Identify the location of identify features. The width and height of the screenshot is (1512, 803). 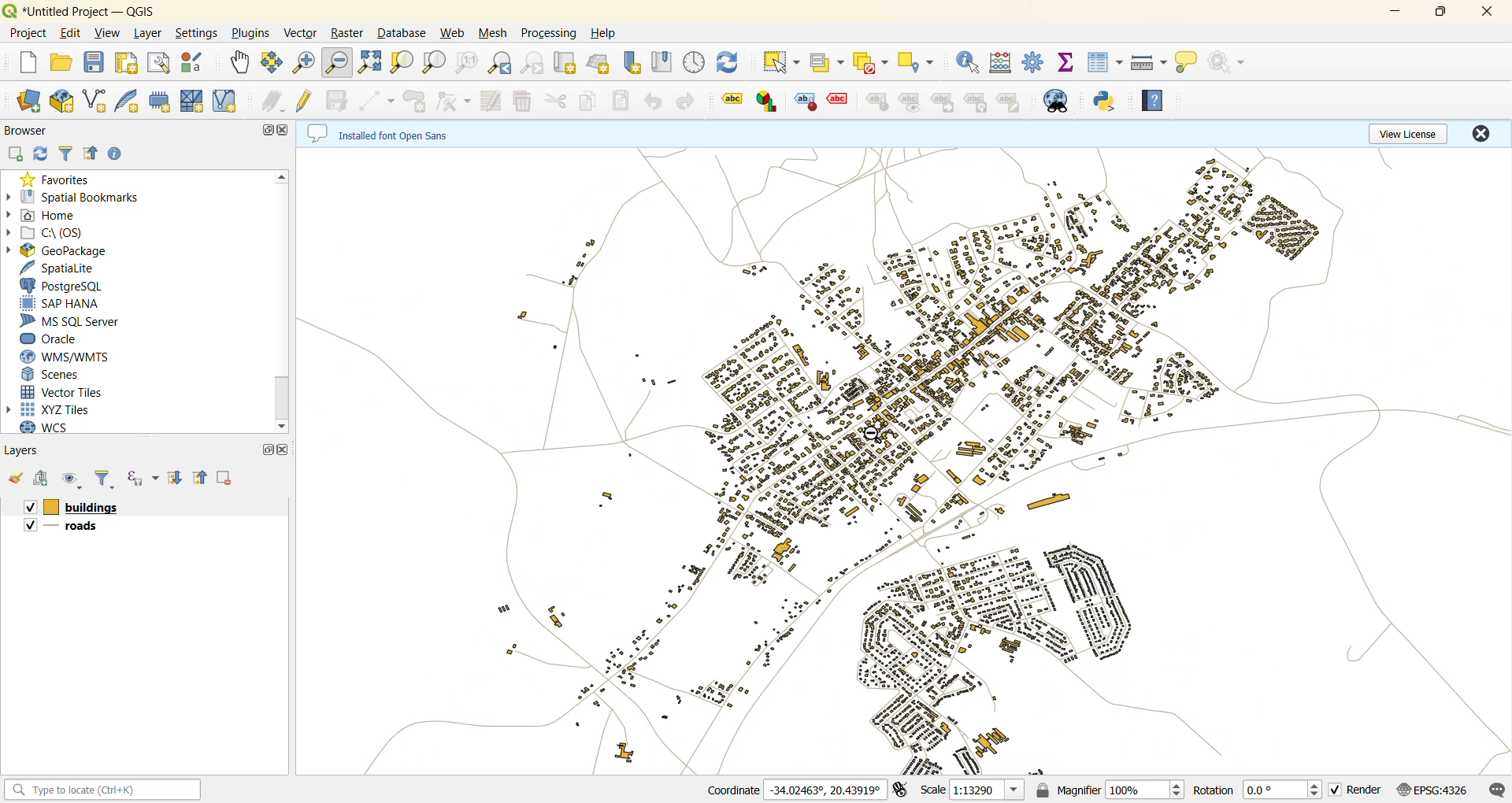
(968, 63).